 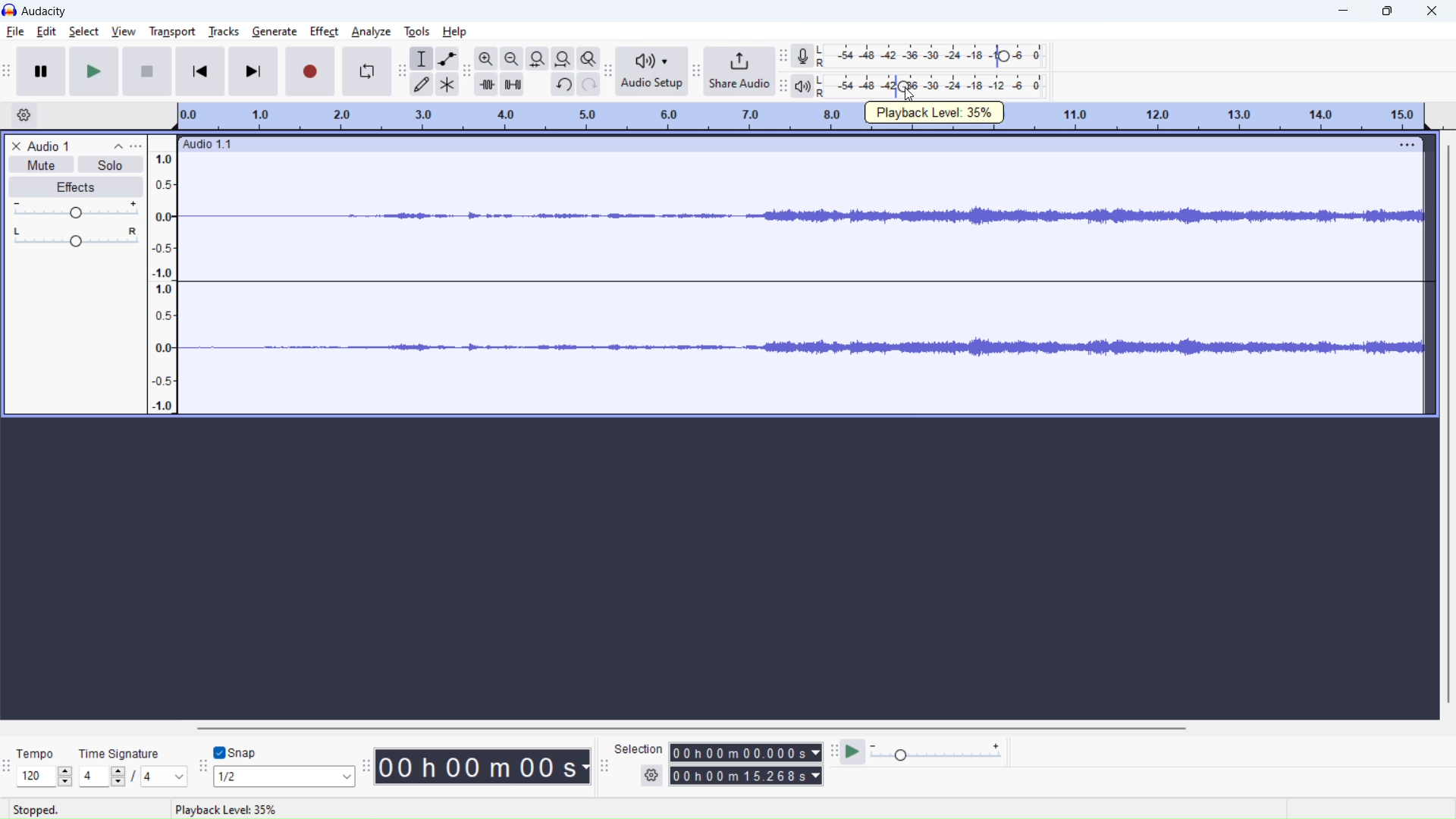 What do you see at coordinates (42, 165) in the screenshot?
I see `mute` at bounding box center [42, 165].